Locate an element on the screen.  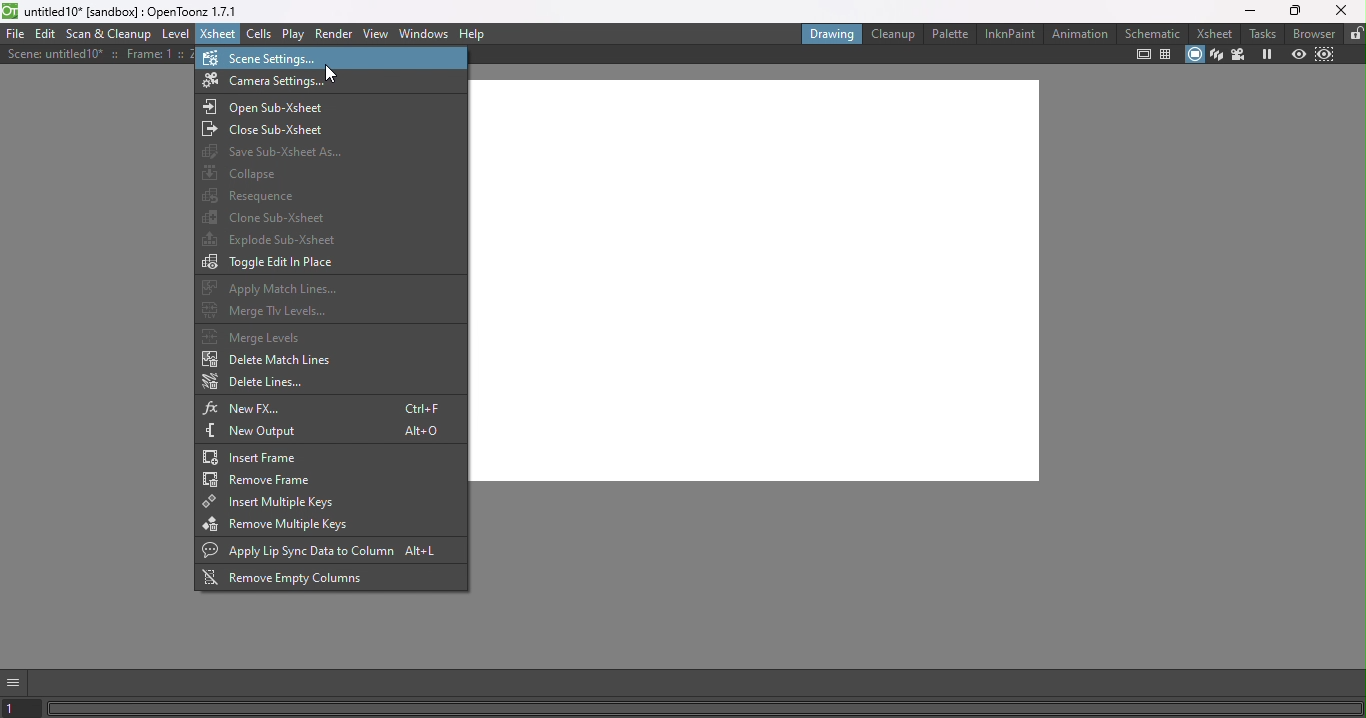
Browser is located at coordinates (1312, 33).